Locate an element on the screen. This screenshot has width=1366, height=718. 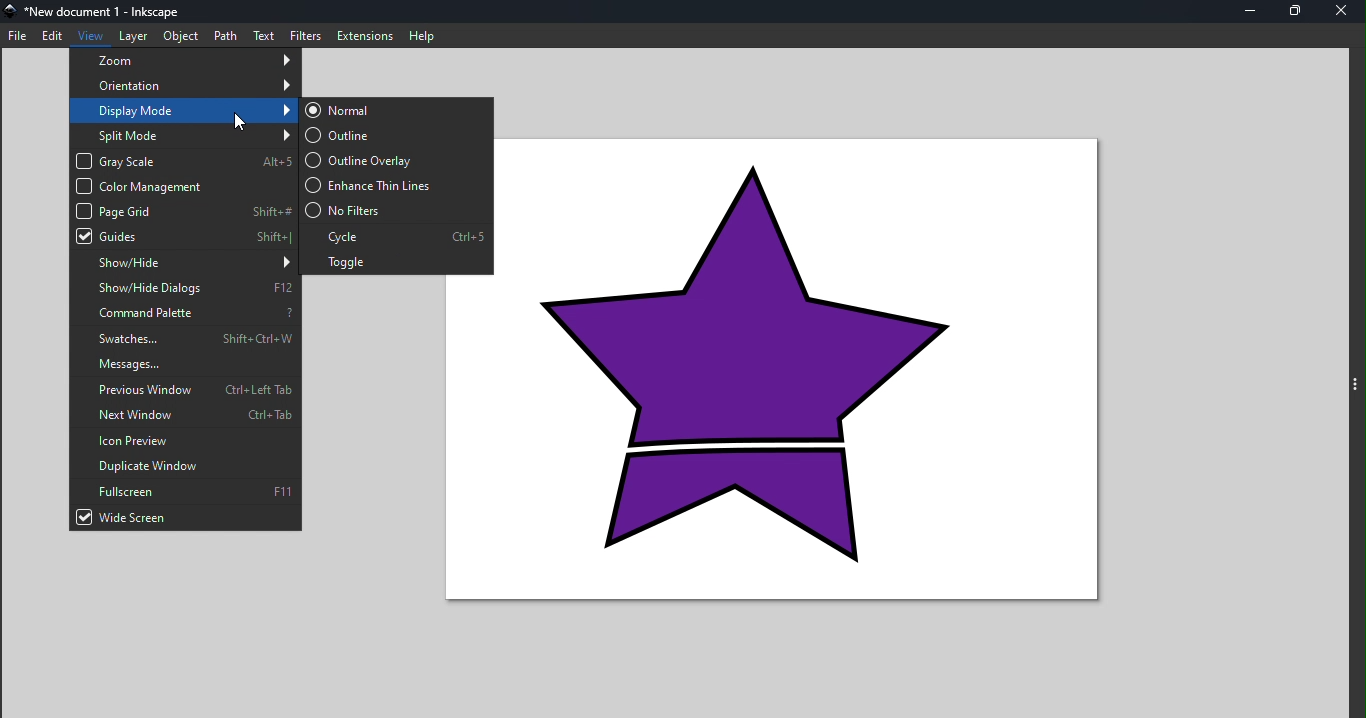
Maximize is located at coordinates (1297, 11).